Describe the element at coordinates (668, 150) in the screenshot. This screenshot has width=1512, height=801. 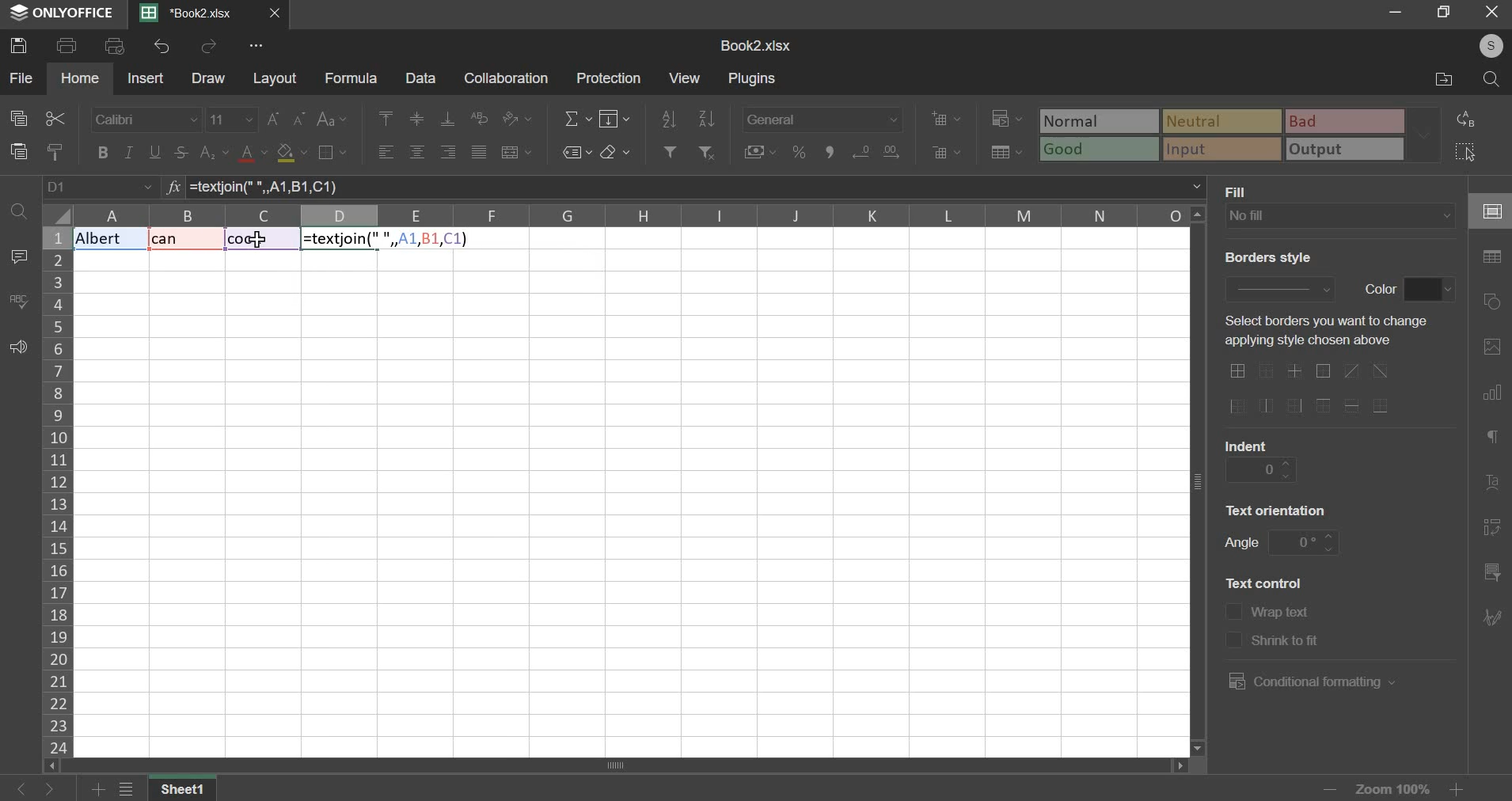
I see `add filter` at that location.